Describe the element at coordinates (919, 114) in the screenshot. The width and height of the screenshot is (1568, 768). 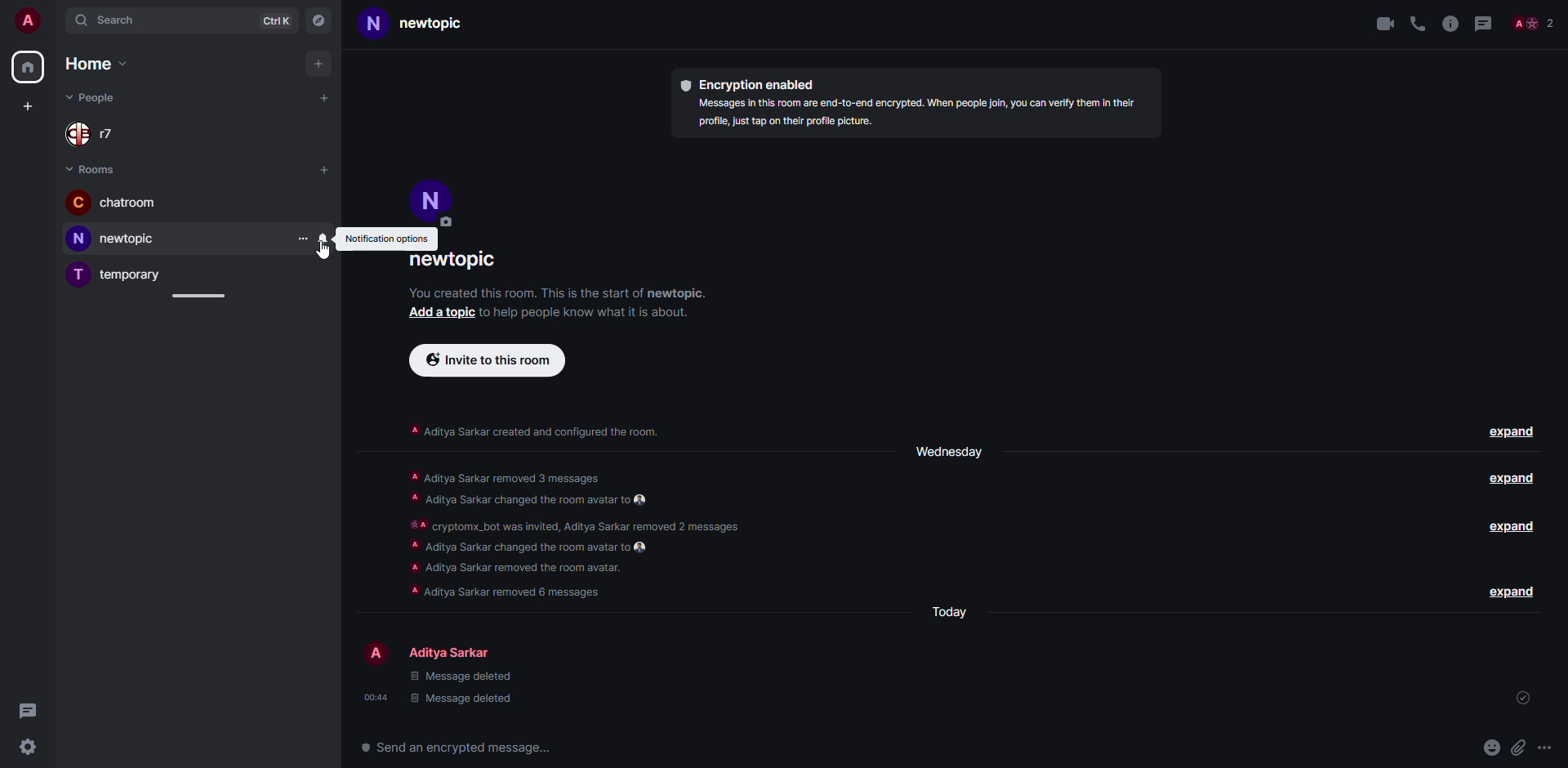
I see `info` at that location.